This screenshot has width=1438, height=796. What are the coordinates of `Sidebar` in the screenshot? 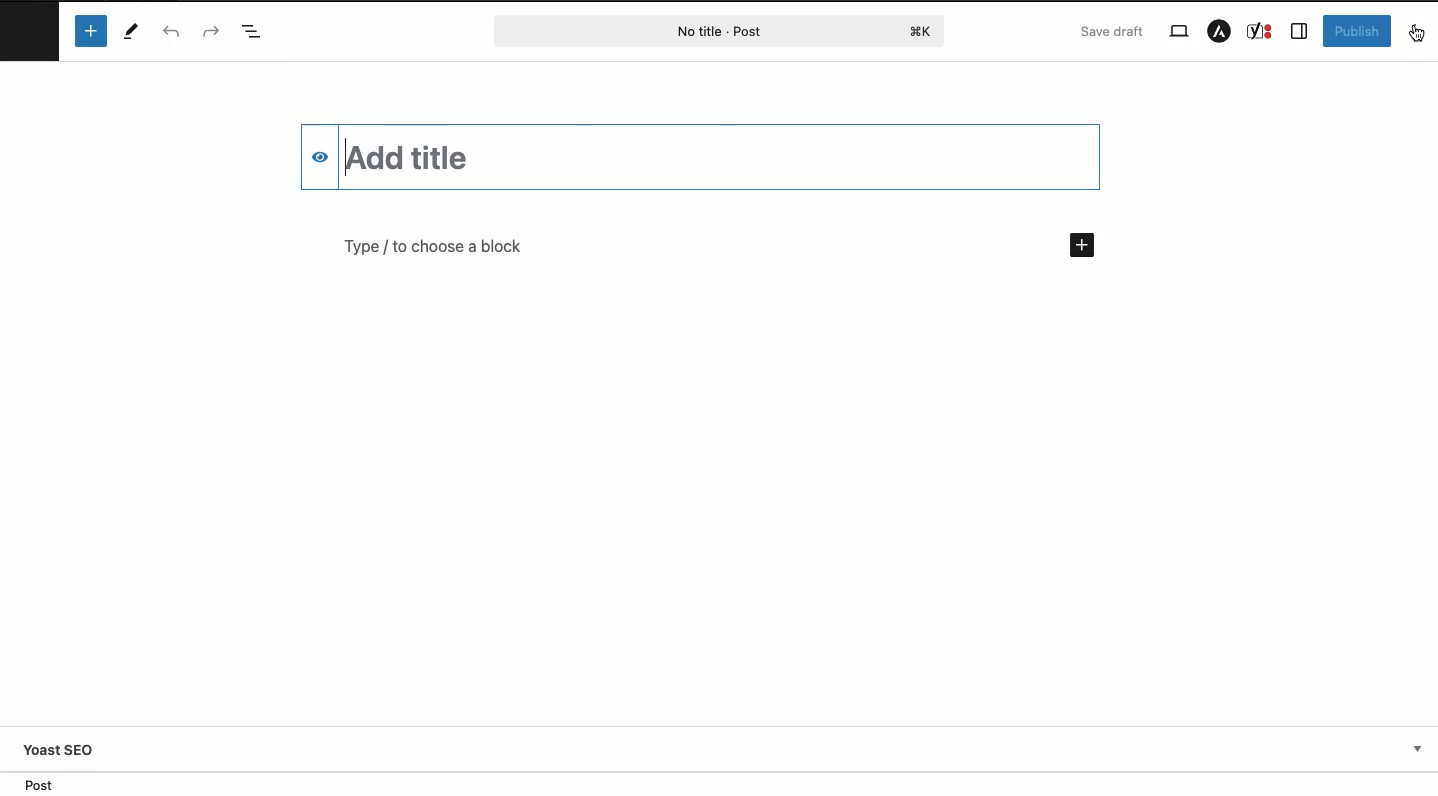 It's located at (1300, 31).